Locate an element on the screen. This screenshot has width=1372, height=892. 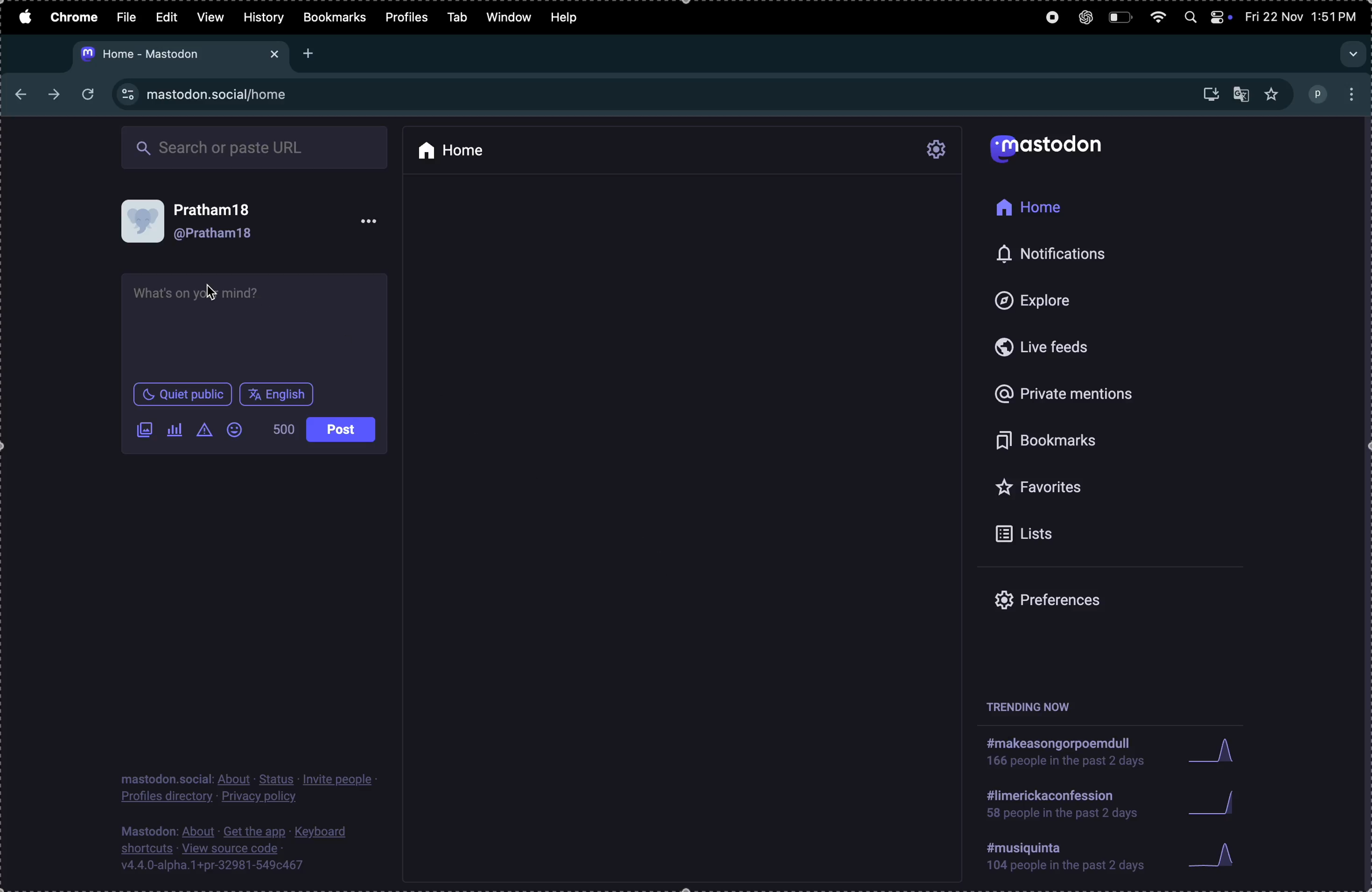
notifications is located at coordinates (1074, 252).